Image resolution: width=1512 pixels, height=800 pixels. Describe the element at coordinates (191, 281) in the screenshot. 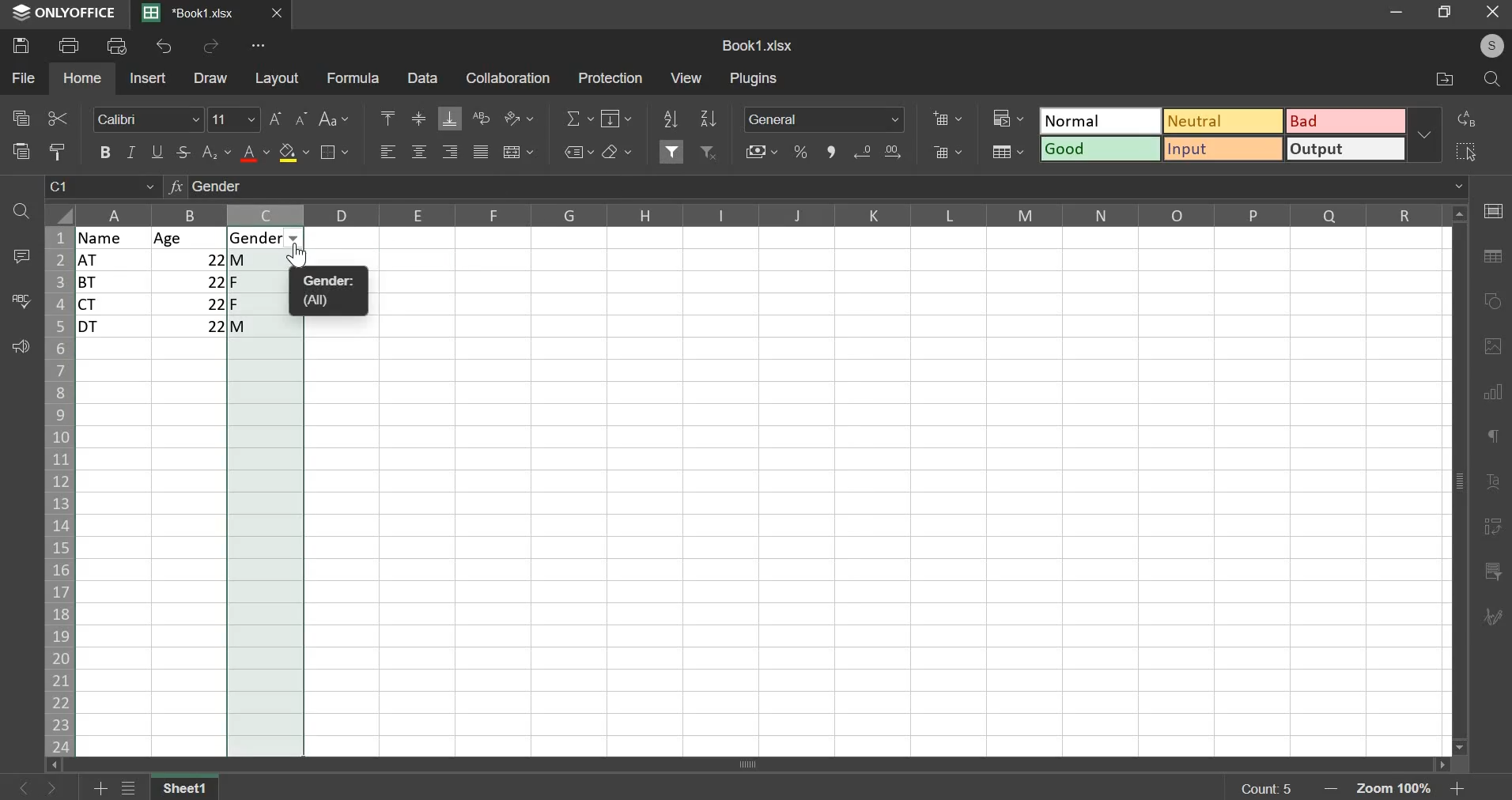

I see `22` at that location.